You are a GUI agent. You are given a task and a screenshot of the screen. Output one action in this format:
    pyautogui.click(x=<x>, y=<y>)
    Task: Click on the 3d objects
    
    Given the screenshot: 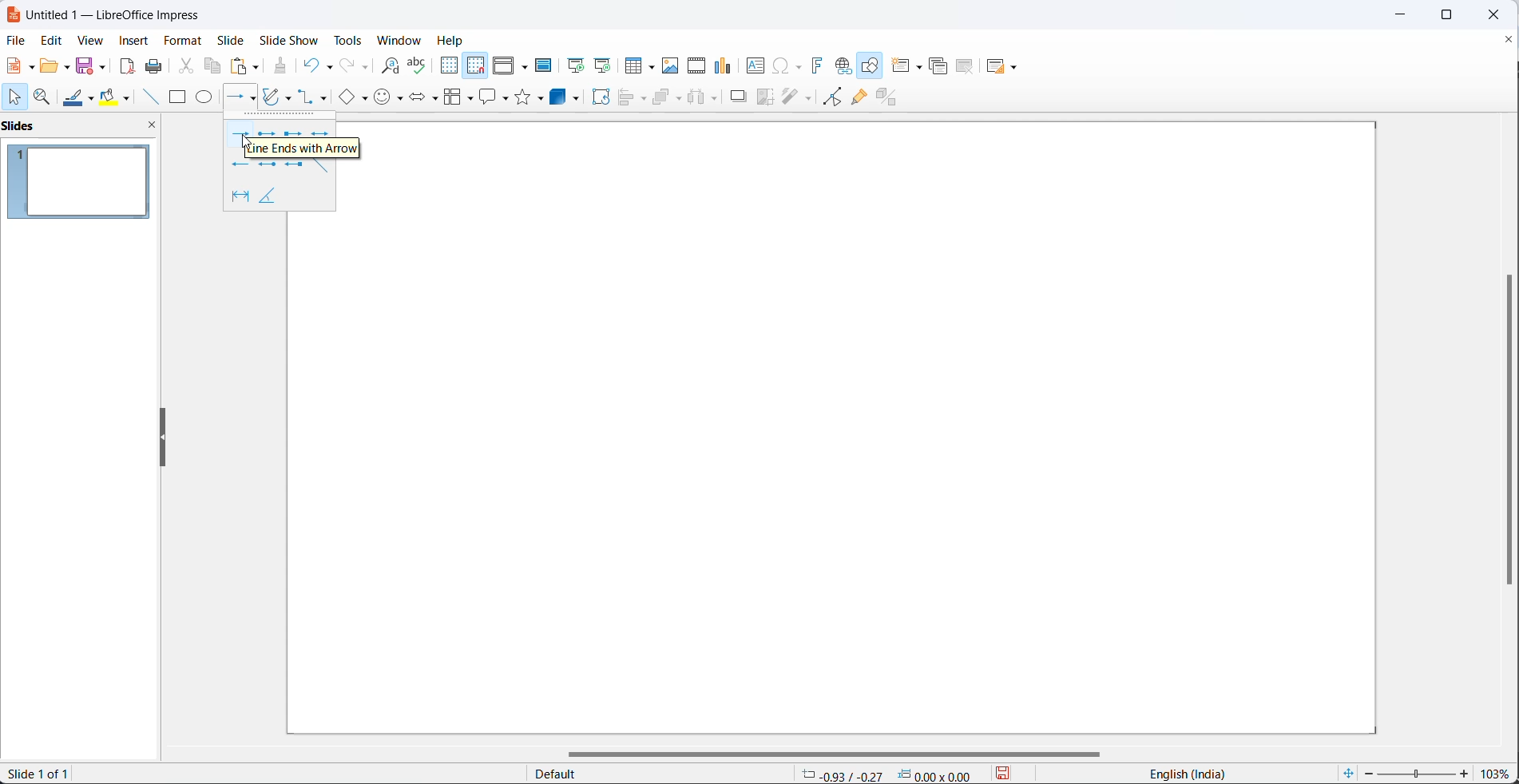 What is the action you would take?
    pyautogui.click(x=567, y=98)
    